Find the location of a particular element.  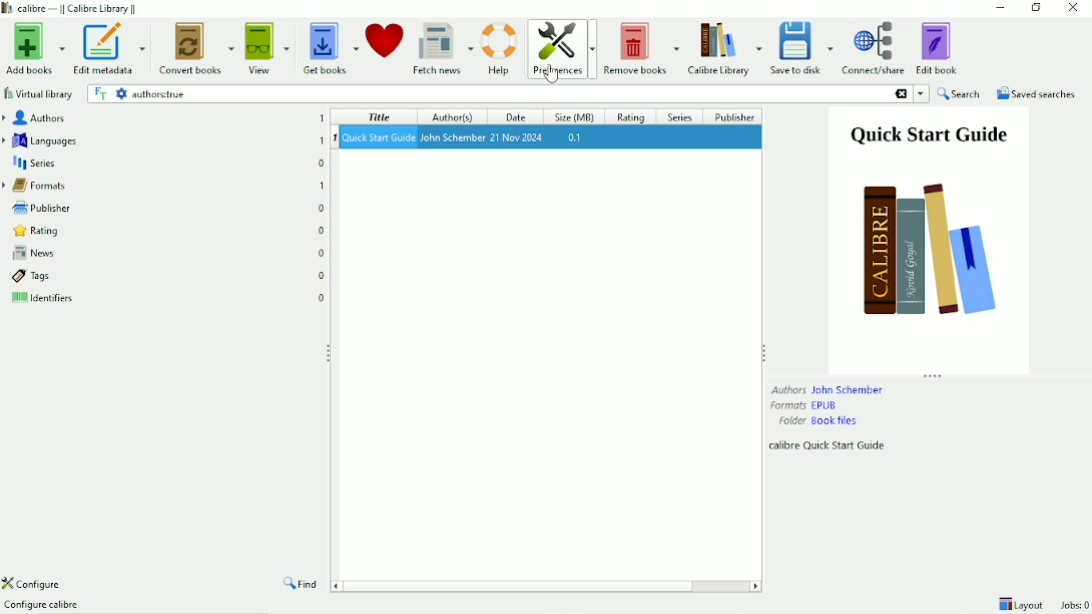

Publisher is located at coordinates (733, 116).